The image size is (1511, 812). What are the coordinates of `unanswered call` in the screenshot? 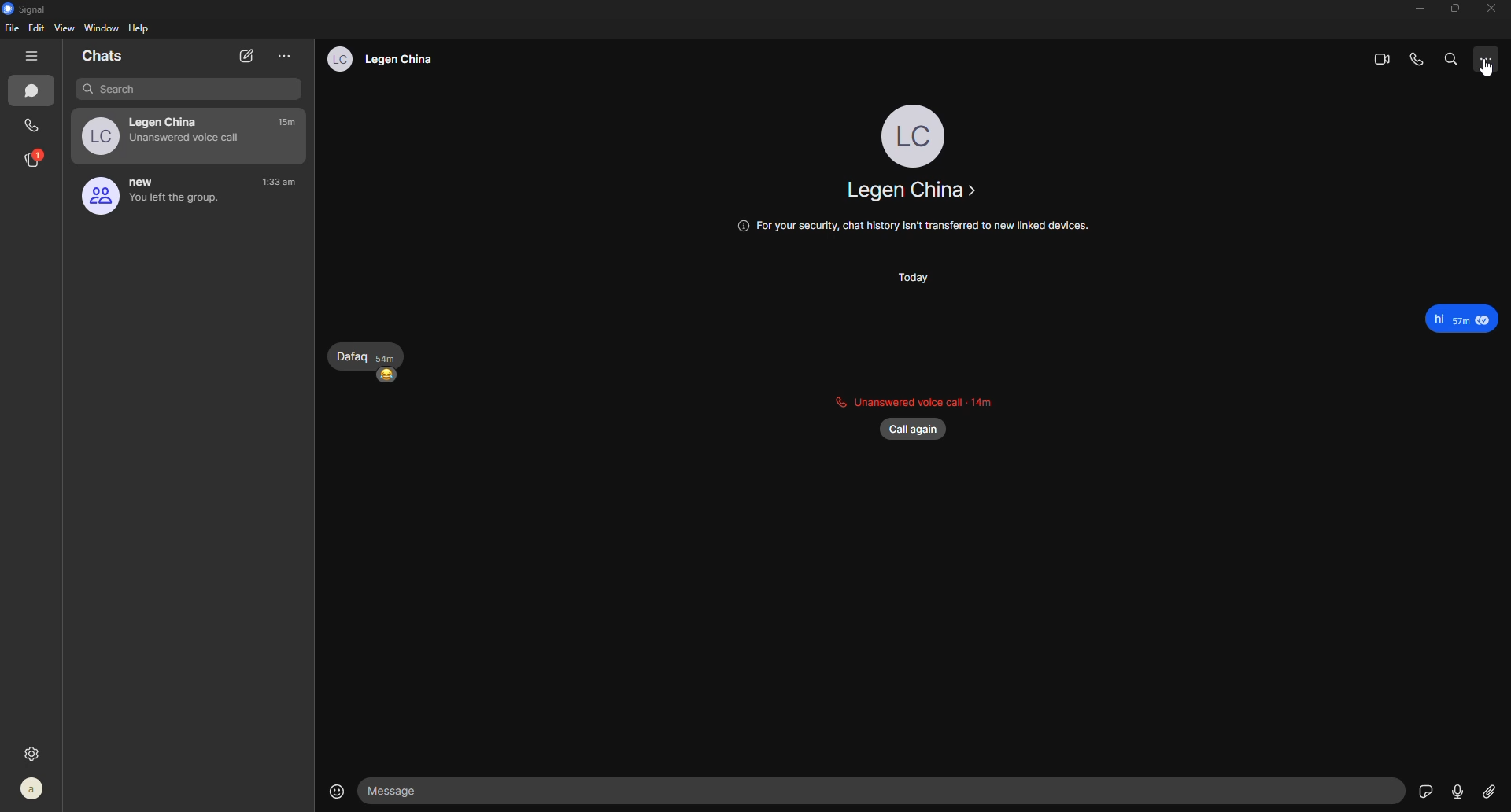 It's located at (917, 398).